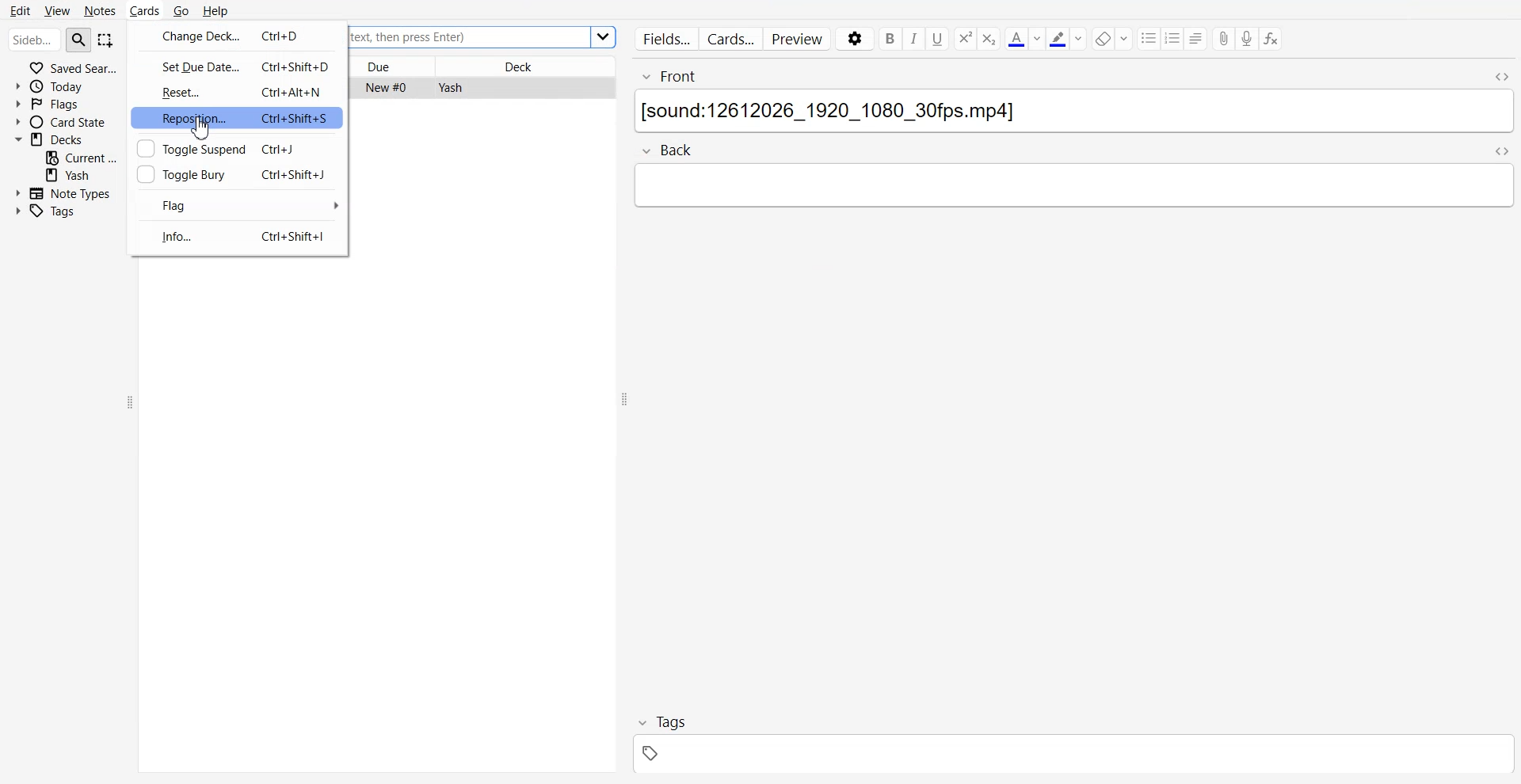 Image resolution: width=1521 pixels, height=784 pixels. What do you see at coordinates (295, 66) in the screenshot?
I see `Ctrl+Shift+D` at bounding box center [295, 66].